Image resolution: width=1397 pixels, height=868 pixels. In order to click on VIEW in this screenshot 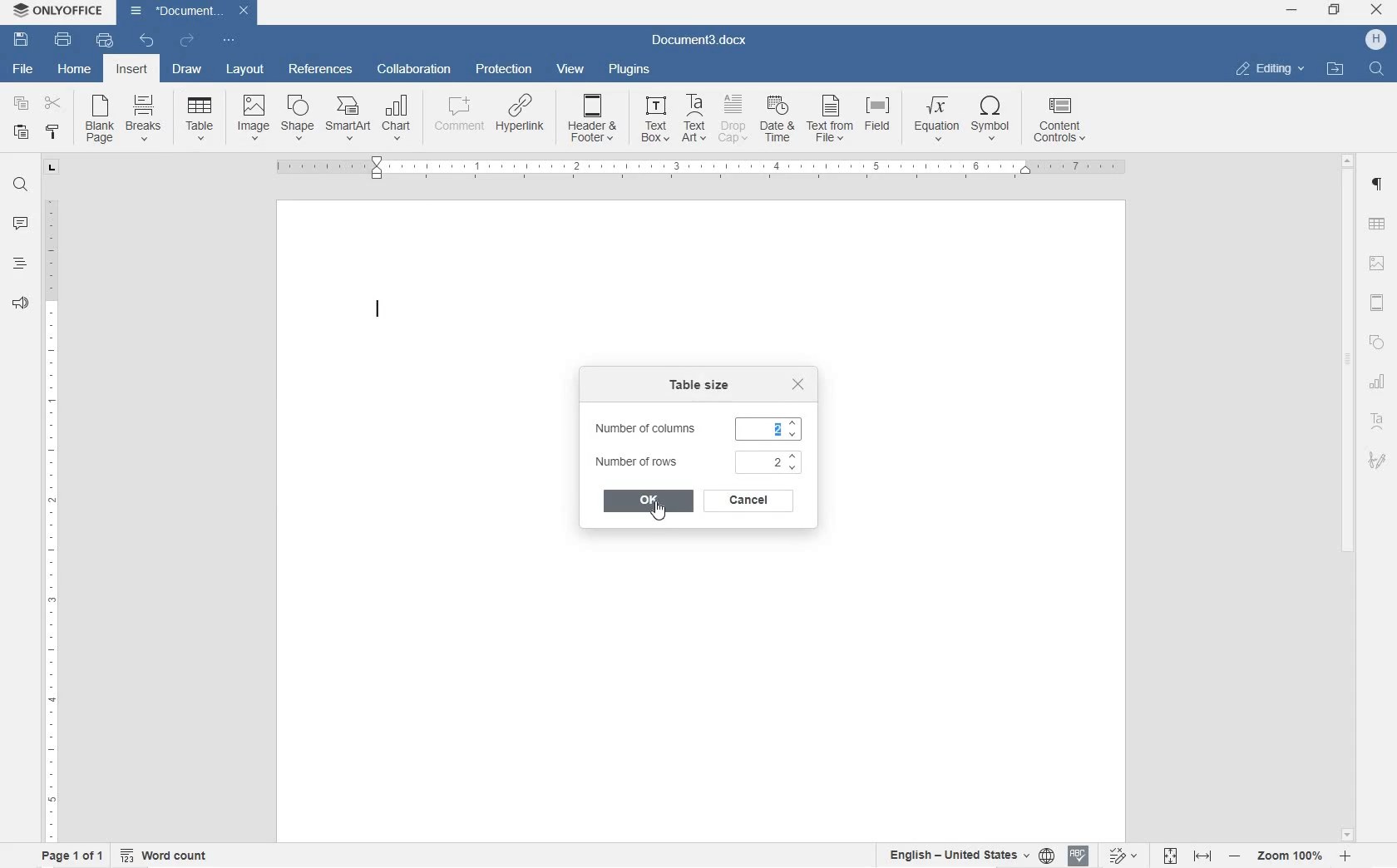, I will do `click(570, 69)`.